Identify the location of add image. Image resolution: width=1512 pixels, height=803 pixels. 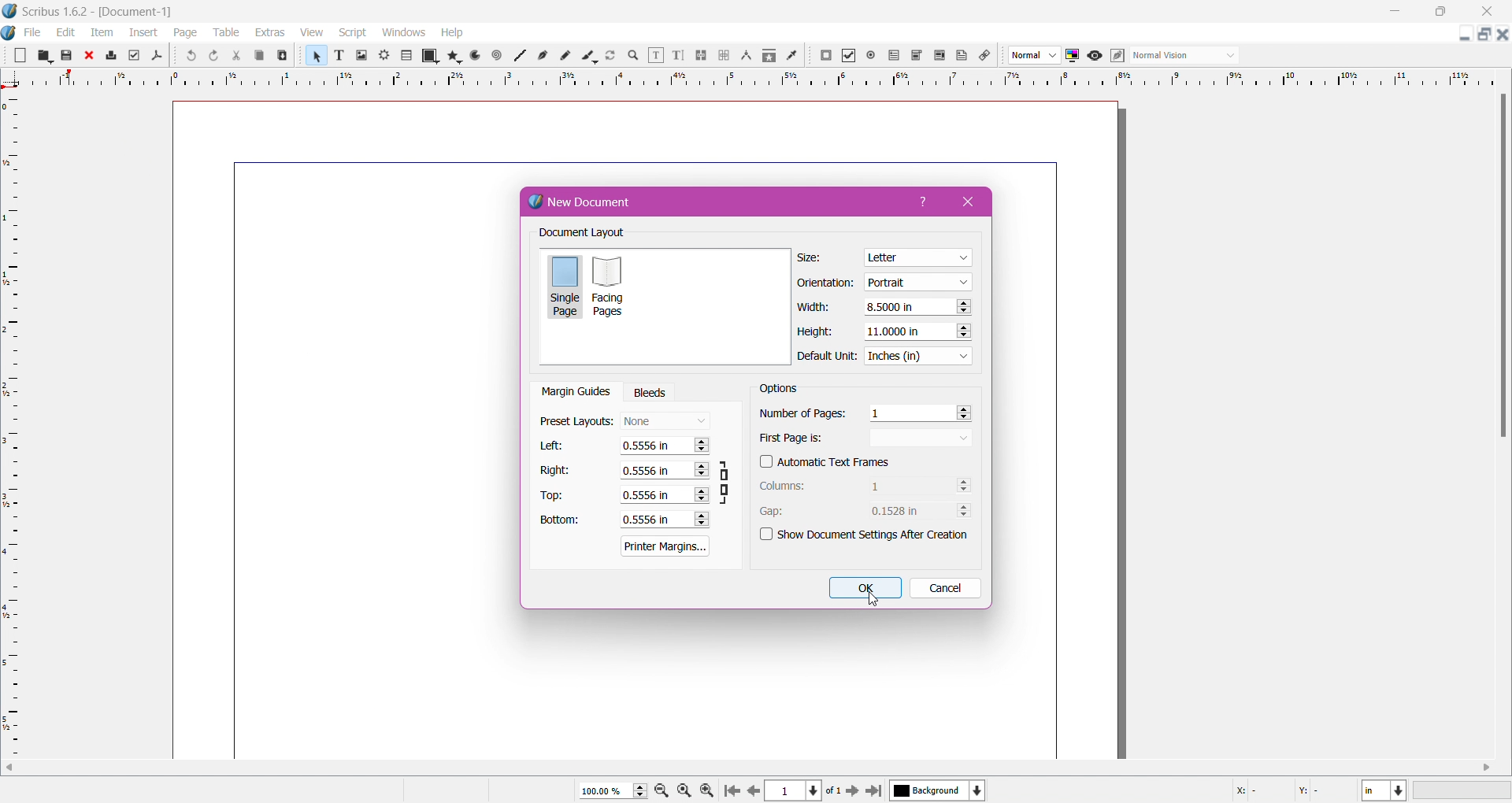
(363, 56).